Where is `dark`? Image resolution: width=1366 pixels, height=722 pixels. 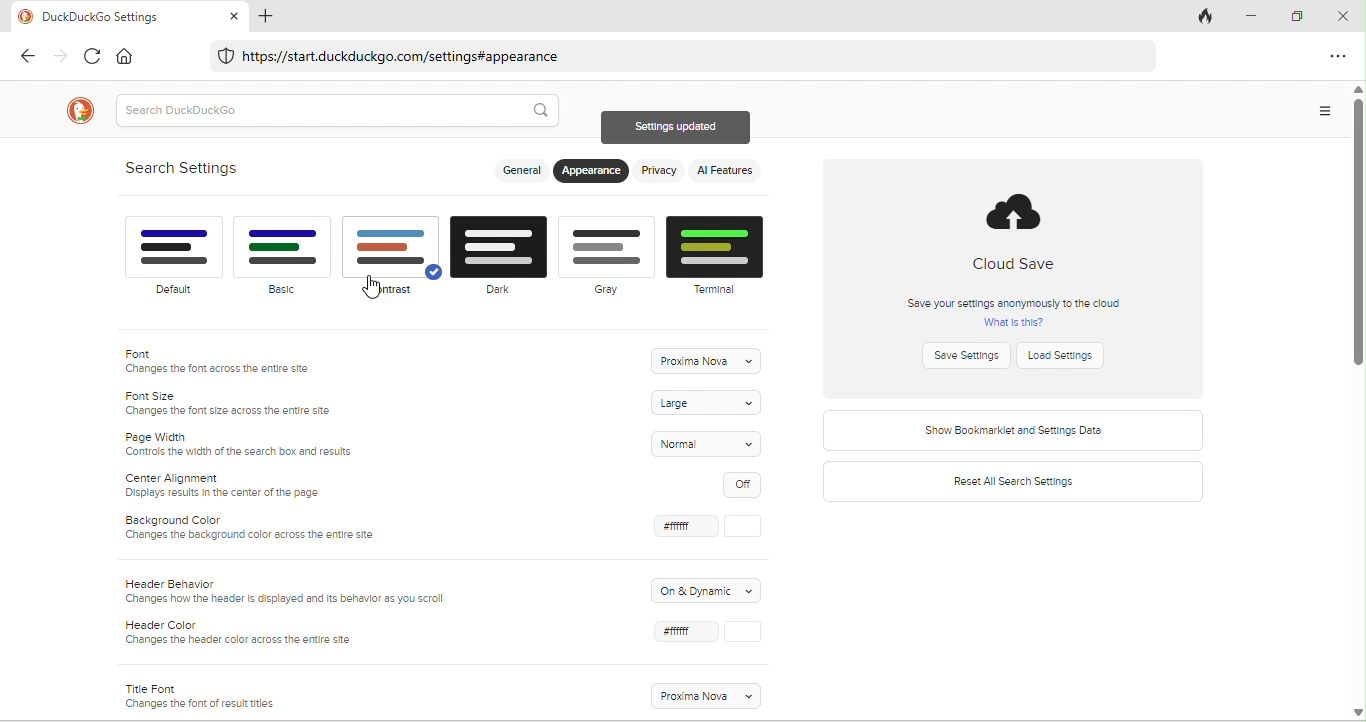
dark is located at coordinates (502, 263).